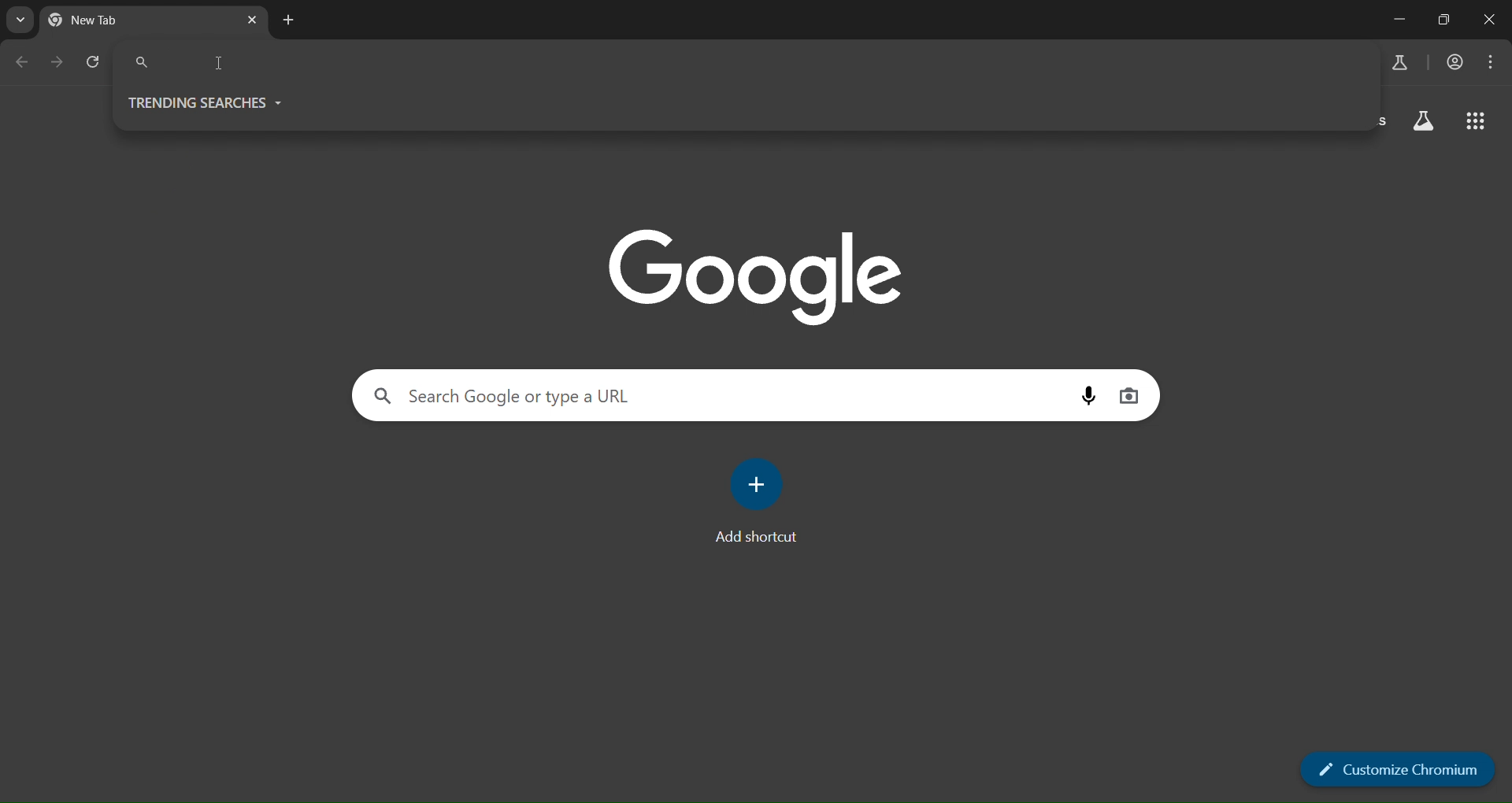 The width and height of the screenshot is (1512, 803). Describe the element at coordinates (1440, 19) in the screenshot. I see `restore down` at that location.